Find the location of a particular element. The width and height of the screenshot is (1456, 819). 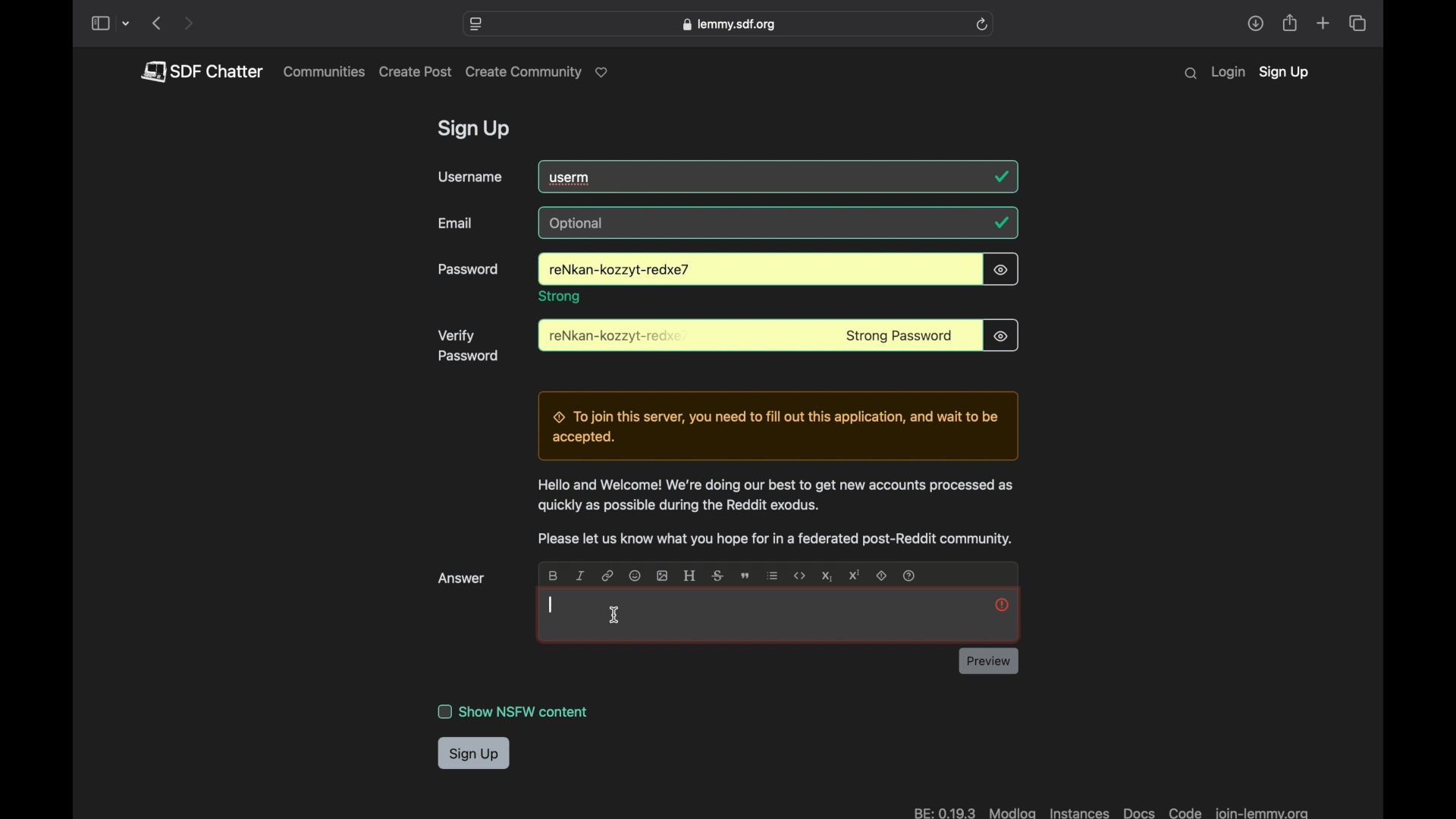

communities is located at coordinates (325, 71).